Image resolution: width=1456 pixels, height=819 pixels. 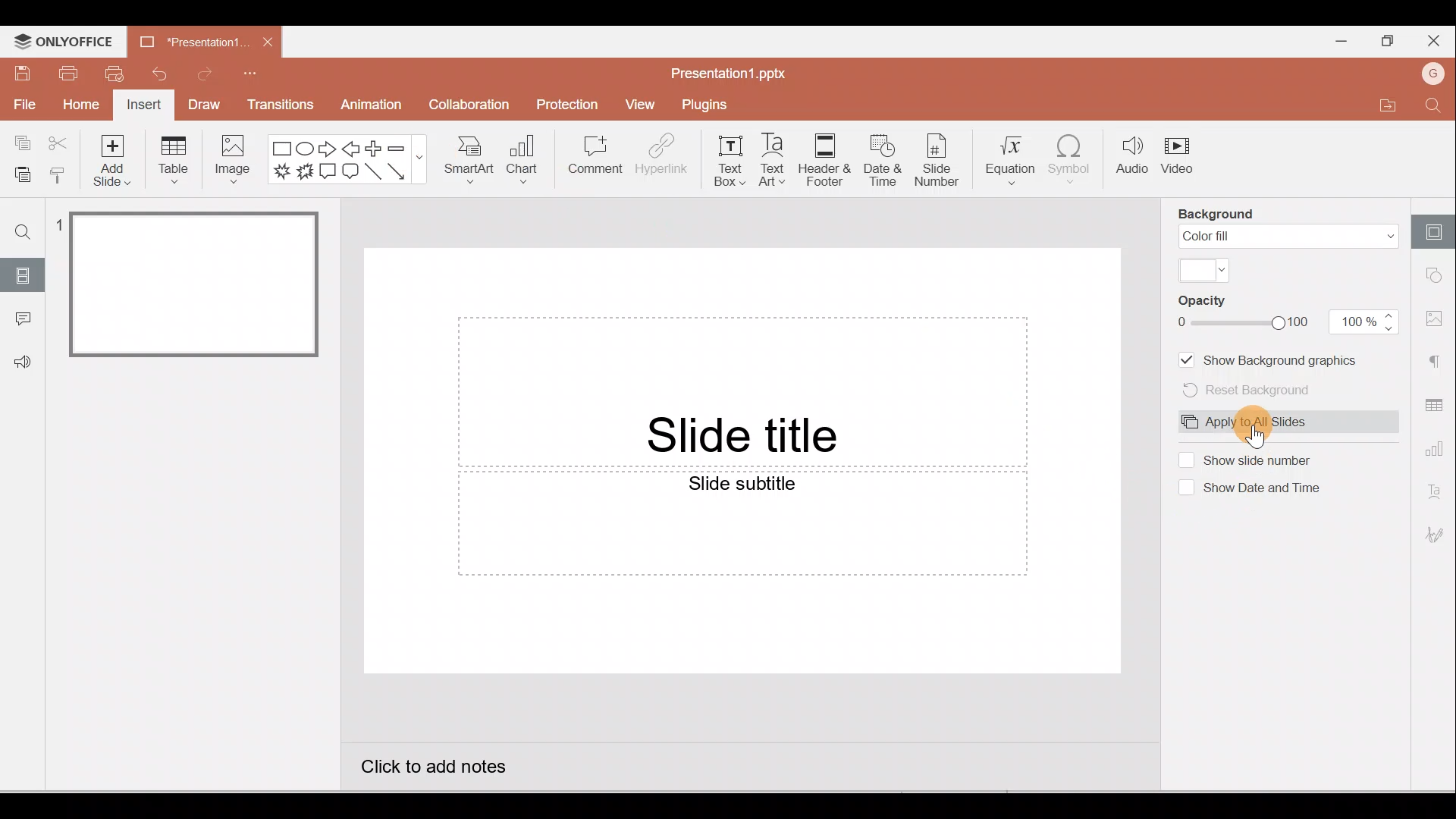 I want to click on Colour fill, so click(x=1288, y=237).